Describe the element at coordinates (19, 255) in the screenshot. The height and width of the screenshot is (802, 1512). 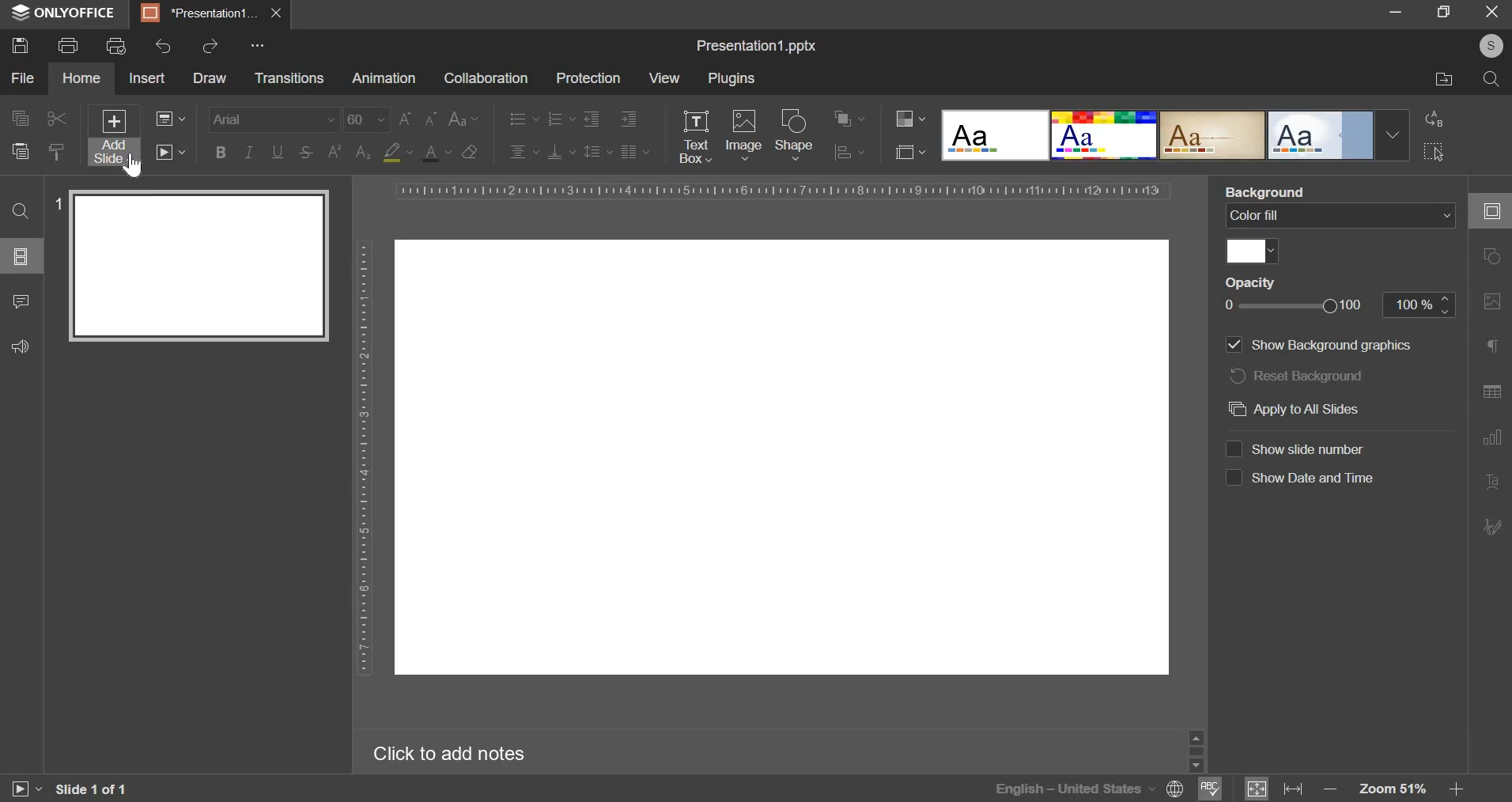
I see `slide menu` at that location.